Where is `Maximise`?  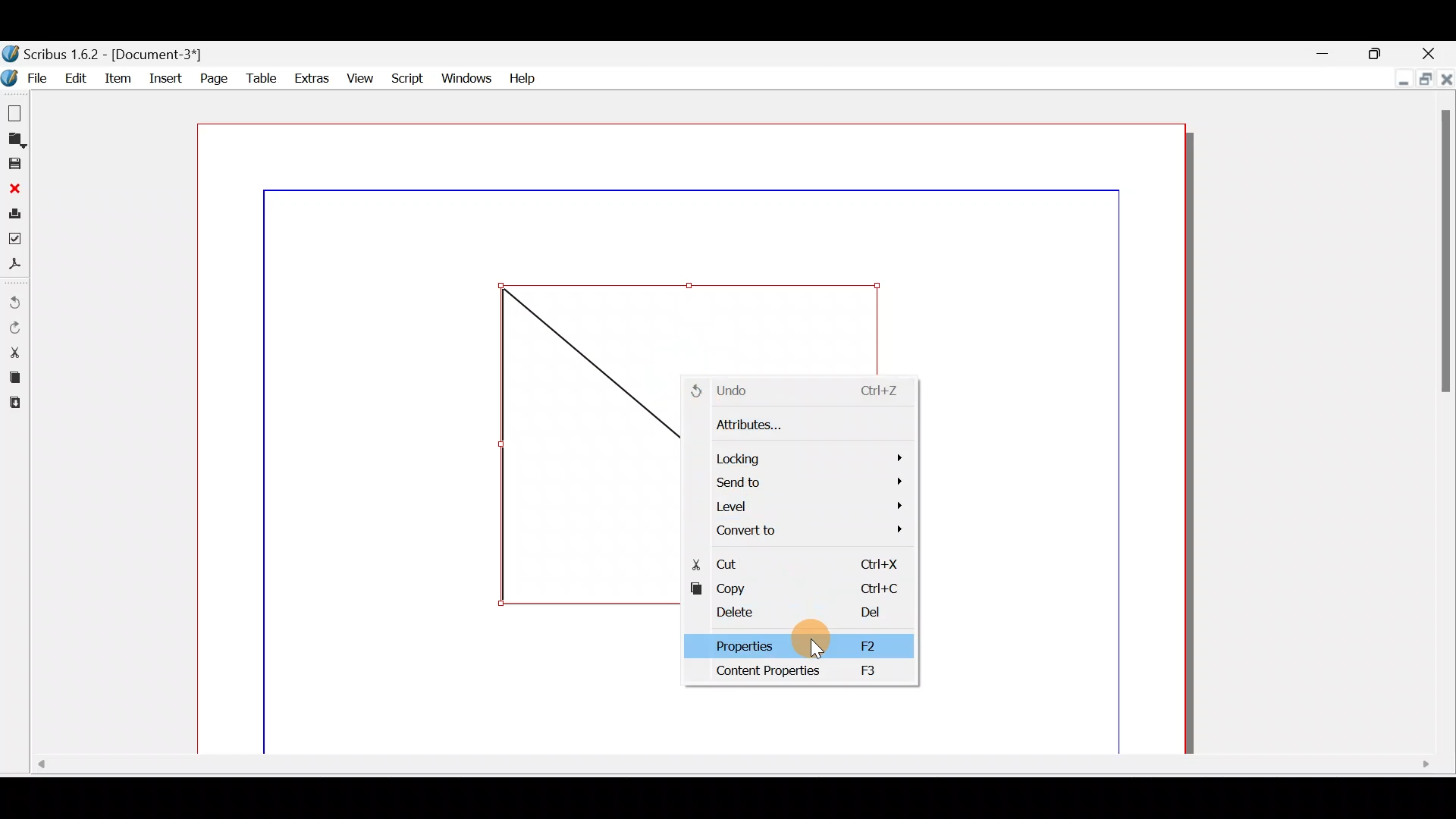 Maximise is located at coordinates (1382, 52).